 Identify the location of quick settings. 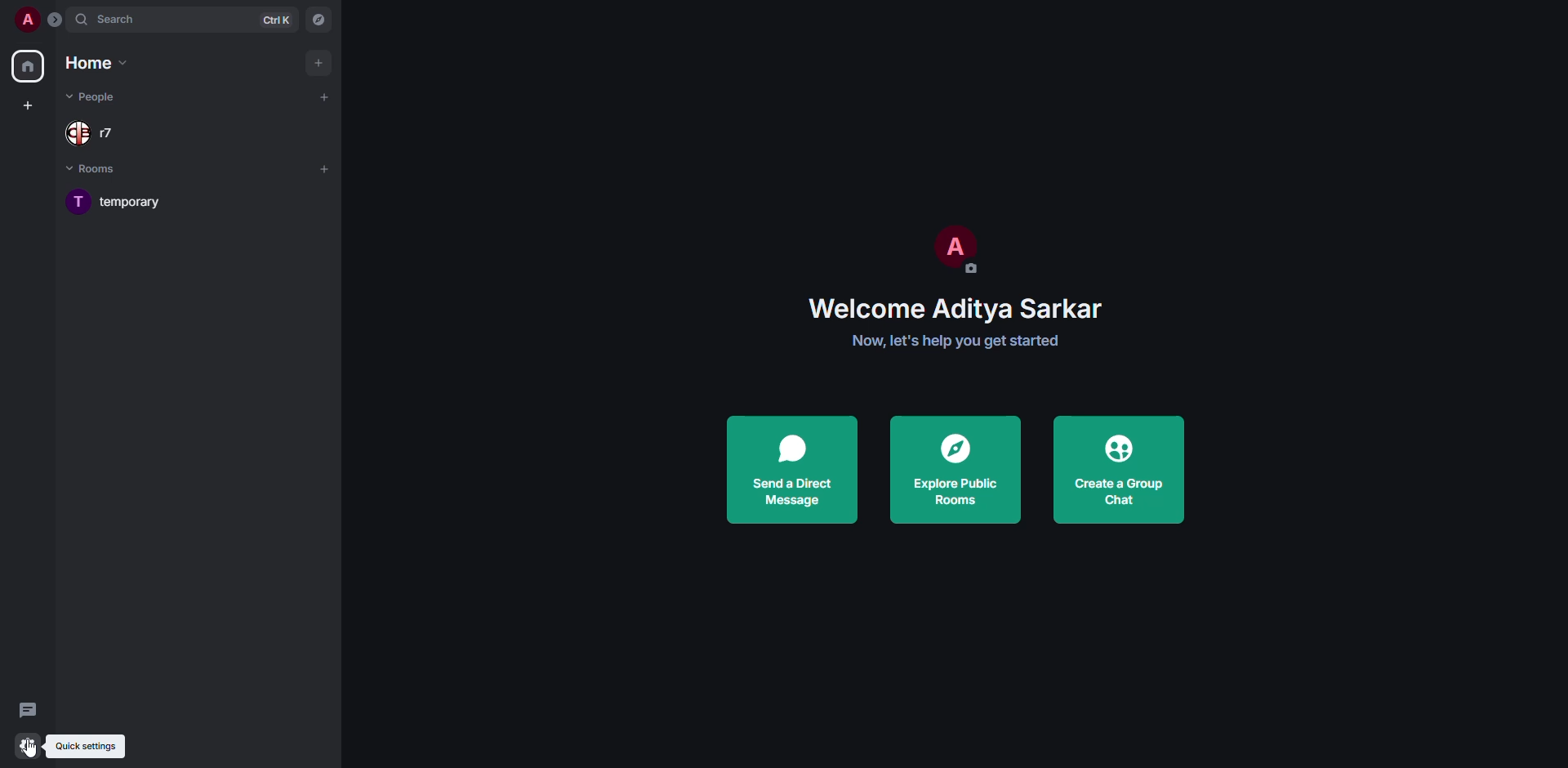
(81, 746).